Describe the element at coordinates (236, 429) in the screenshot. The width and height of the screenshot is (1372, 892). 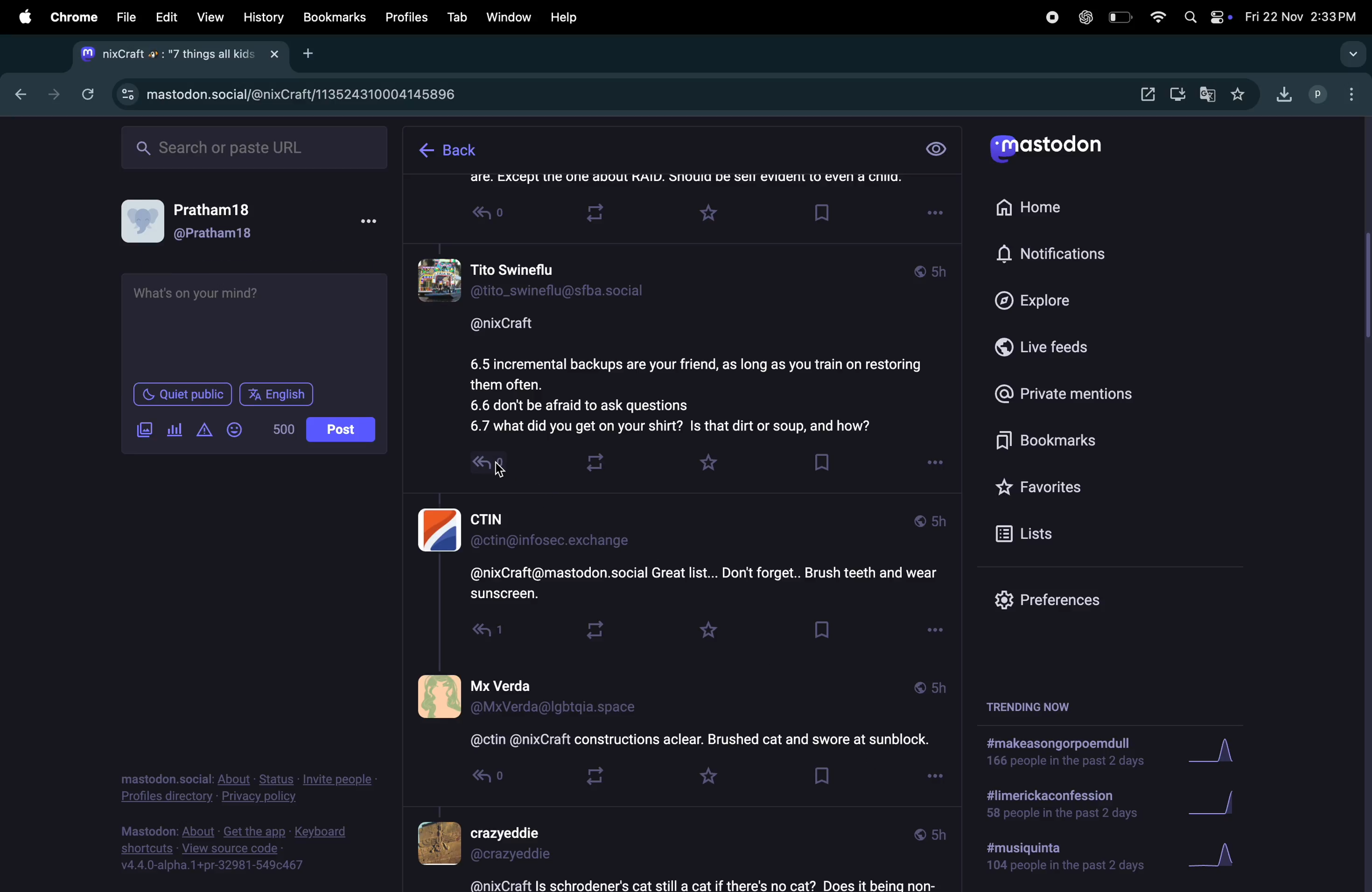
I see `emoji` at that location.